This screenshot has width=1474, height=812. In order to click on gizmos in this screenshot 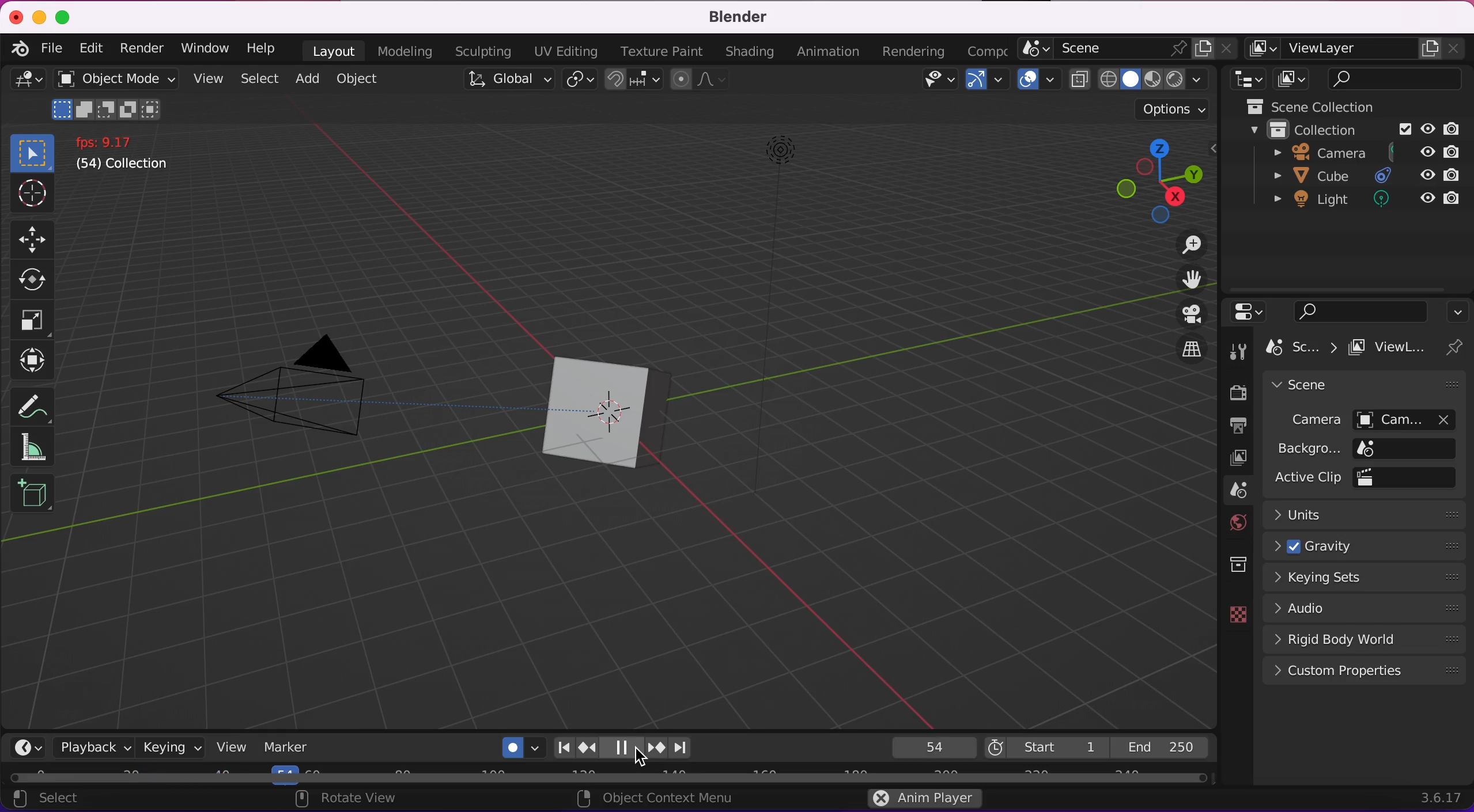, I will do `click(982, 81)`.